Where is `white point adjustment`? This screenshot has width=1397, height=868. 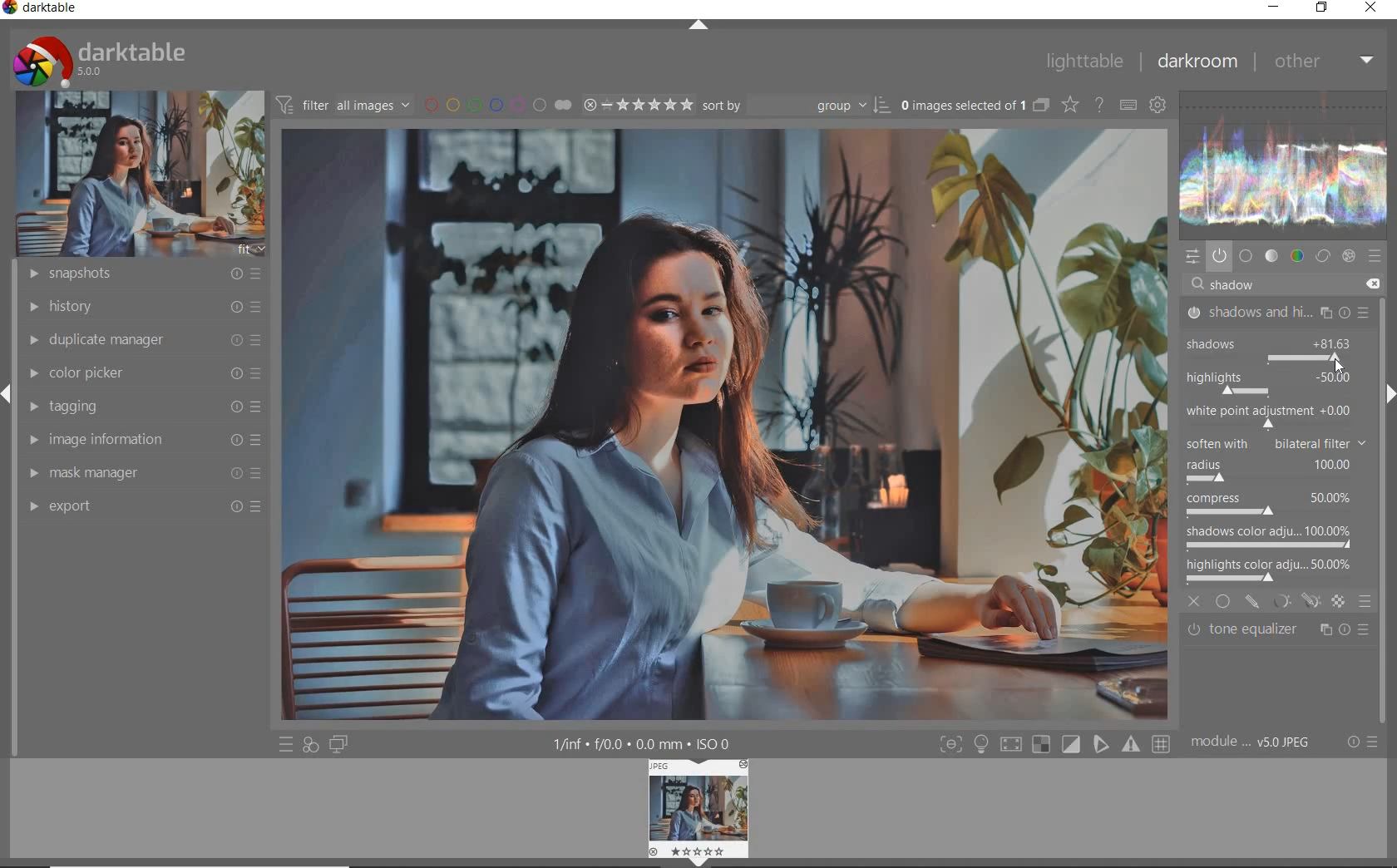 white point adjustment is located at coordinates (1267, 416).